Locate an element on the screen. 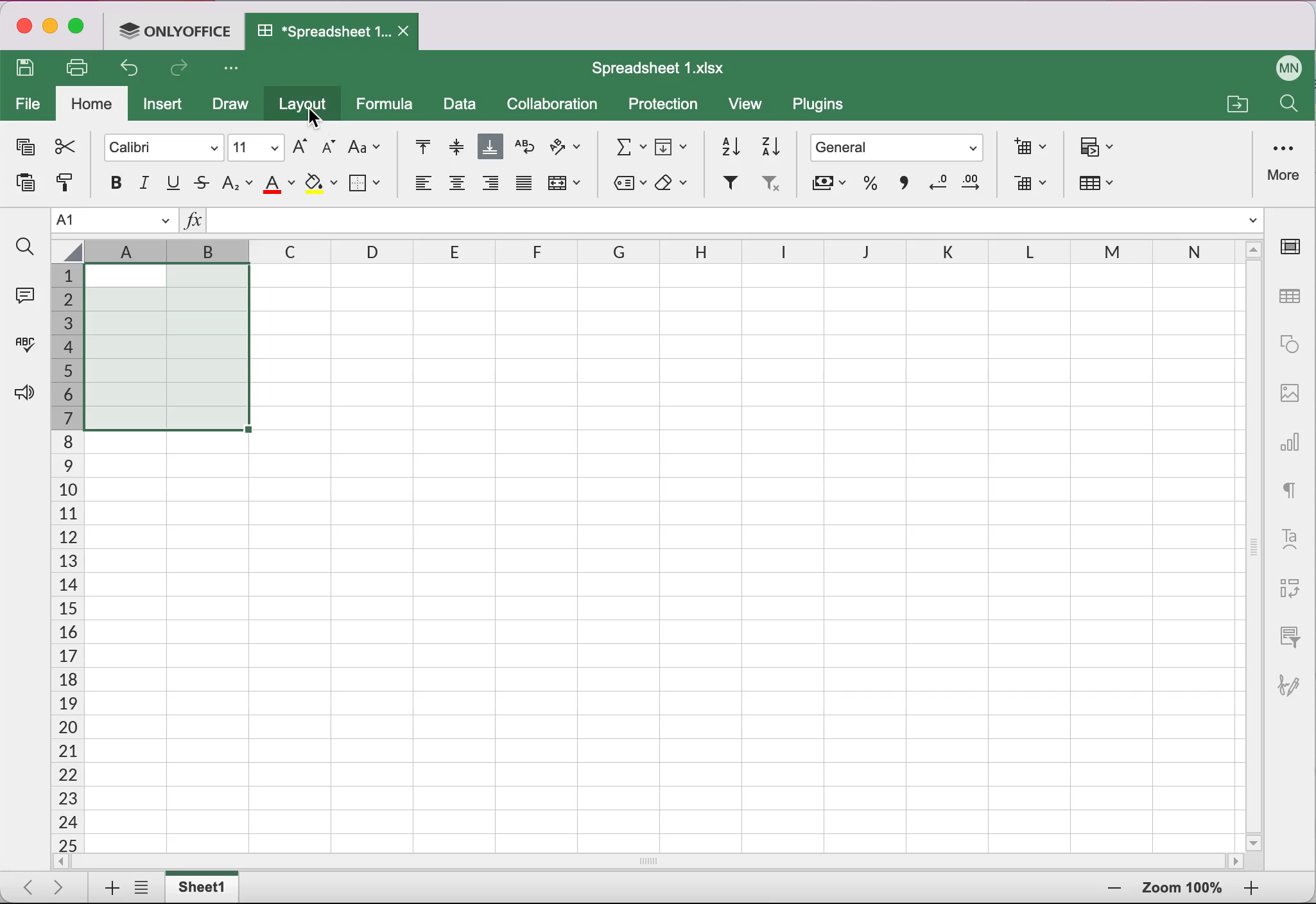  customize quick access toolbar is located at coordinates (235, 69).